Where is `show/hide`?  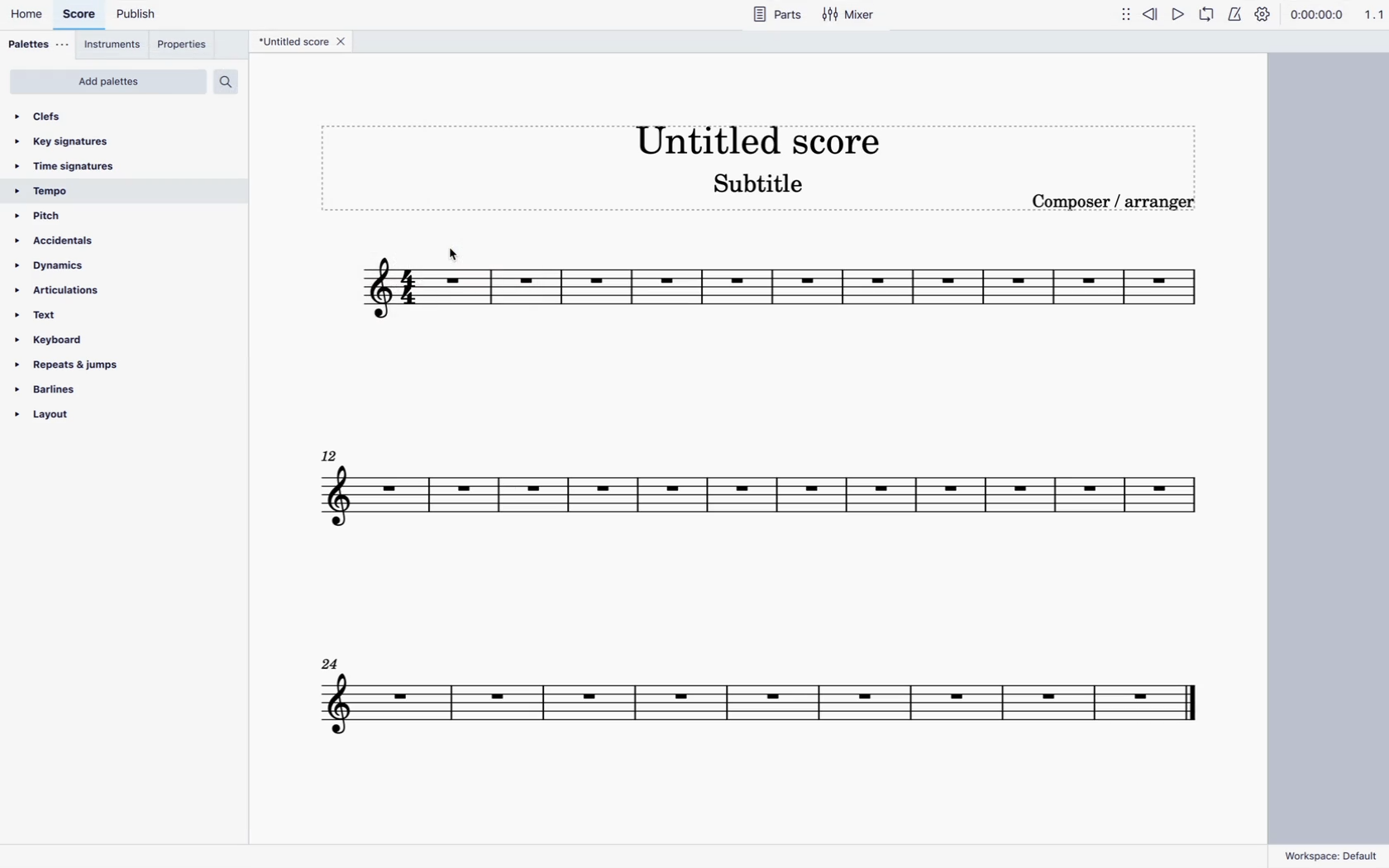 show/hide is located at coordinates (1120, 17).